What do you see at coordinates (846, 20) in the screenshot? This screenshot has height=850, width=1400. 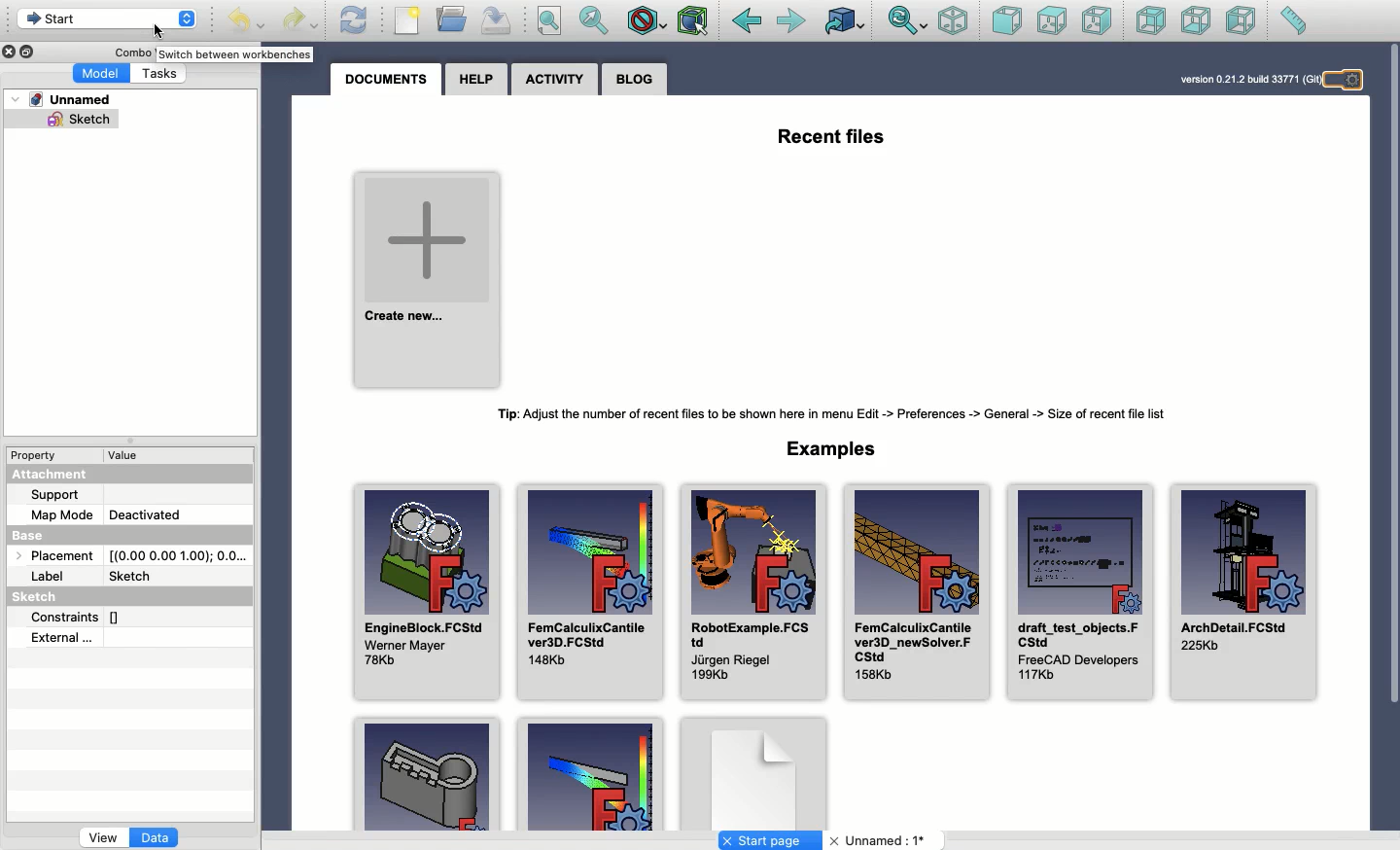 I see `Go to linked object` at bounding box center [846, 20].